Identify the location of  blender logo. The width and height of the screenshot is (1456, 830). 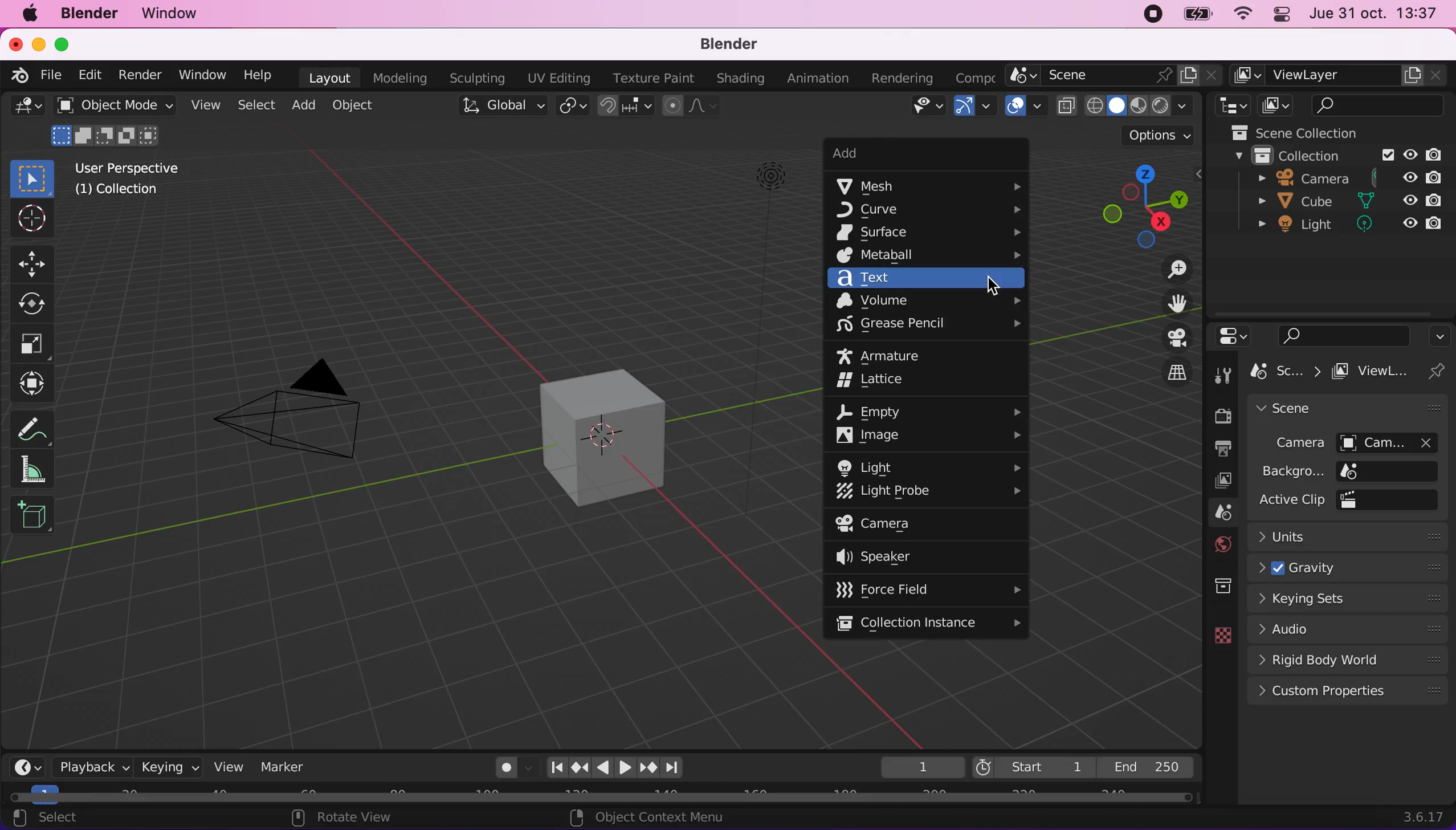
(19, 76).